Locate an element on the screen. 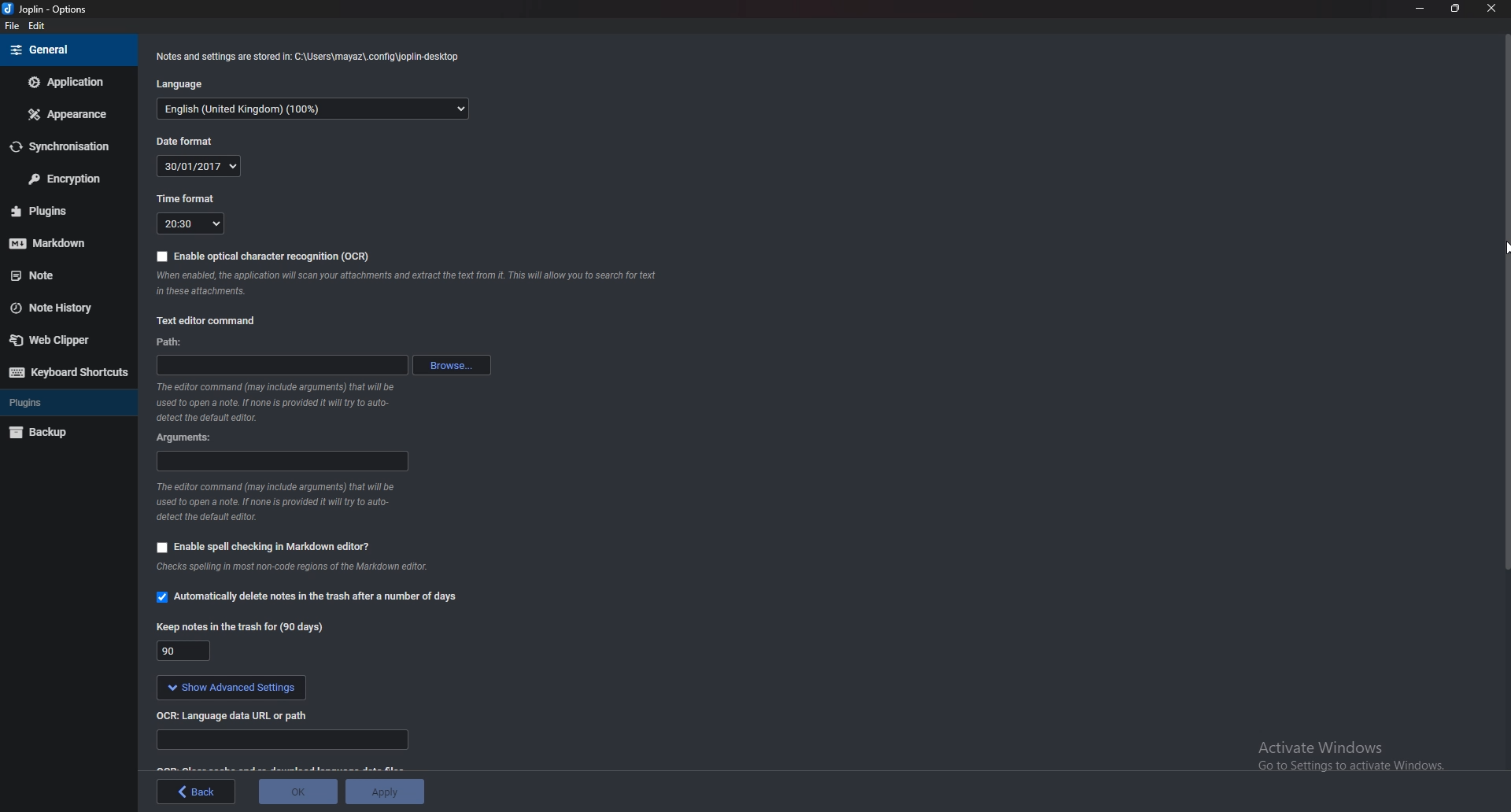 The image size is (1511, 812). note is located at coordinates (59, 276).